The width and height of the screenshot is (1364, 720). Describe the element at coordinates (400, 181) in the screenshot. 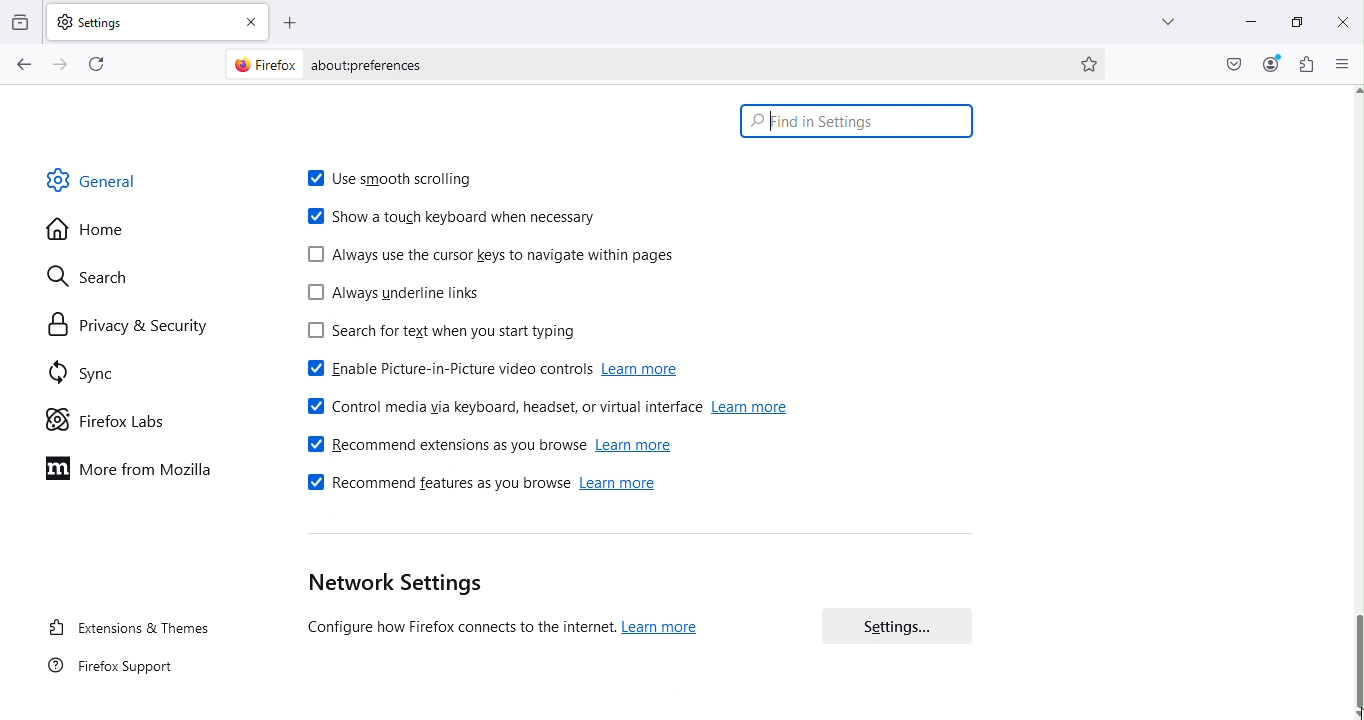

I see `Use smooth scrolling` at that location.